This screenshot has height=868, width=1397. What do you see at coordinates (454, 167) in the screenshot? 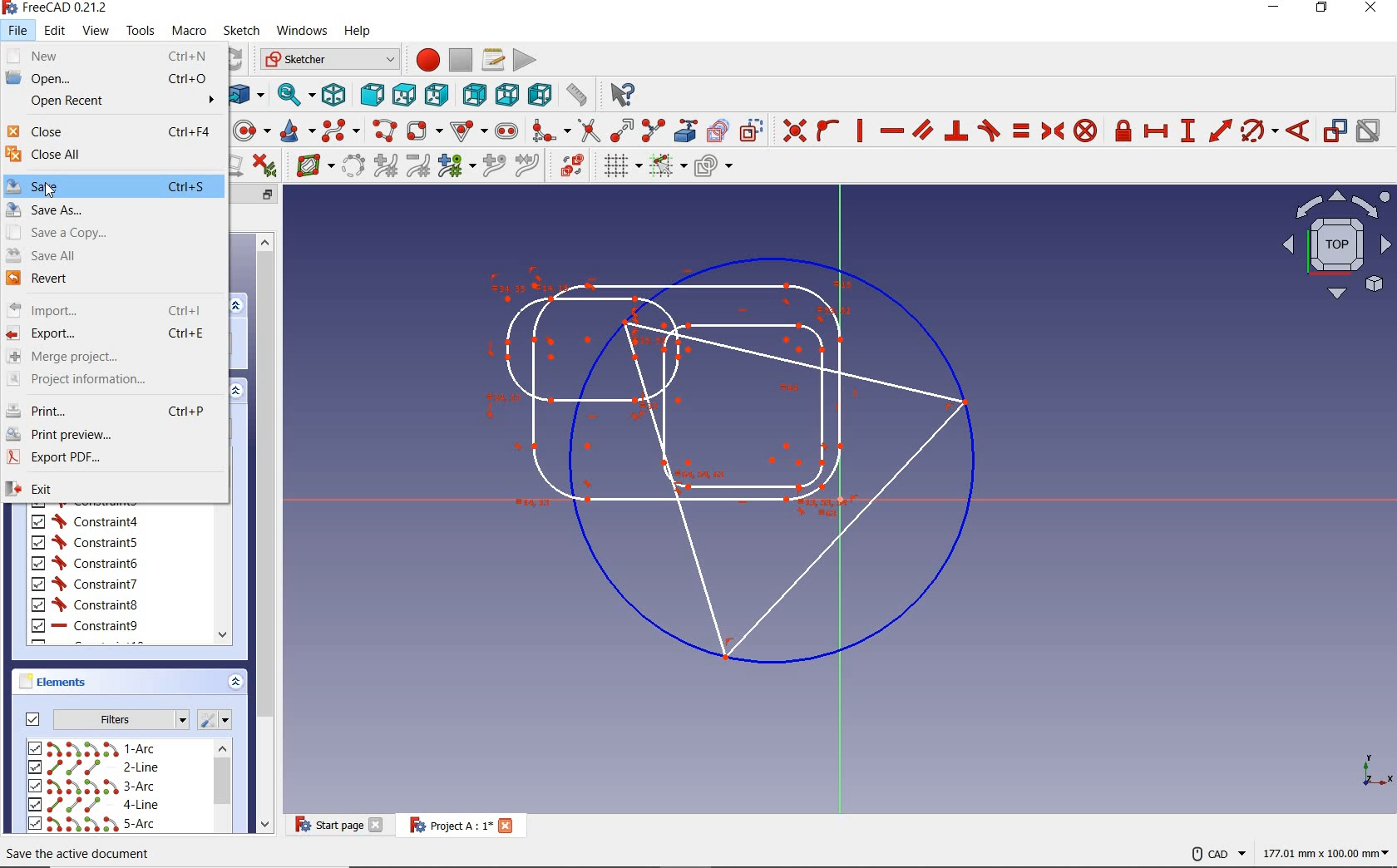
I see `modify knot multiplicity` at bounding box center [454, 167].